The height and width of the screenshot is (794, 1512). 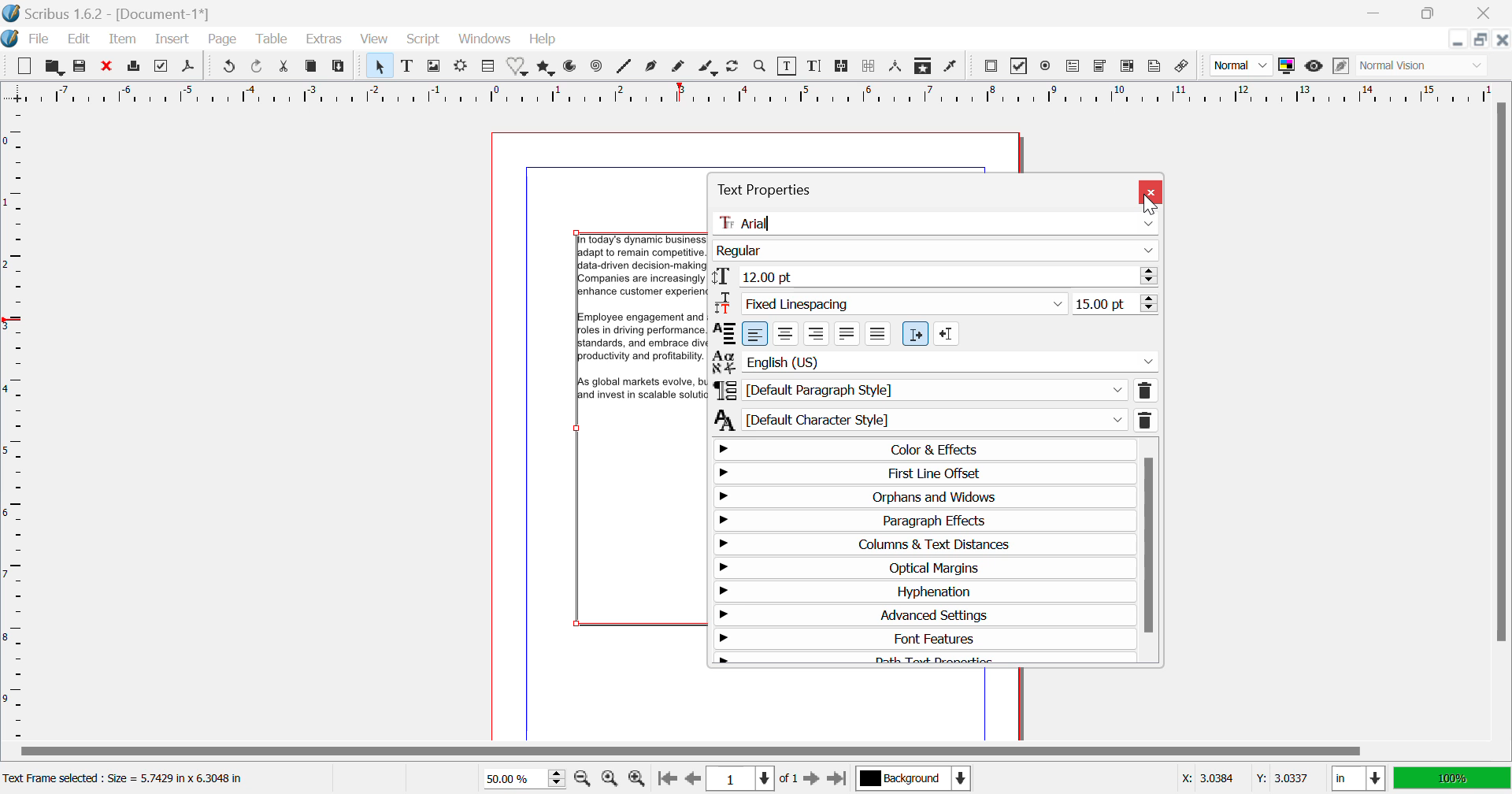 I want to click on Close, so click(x=1152, y=191).